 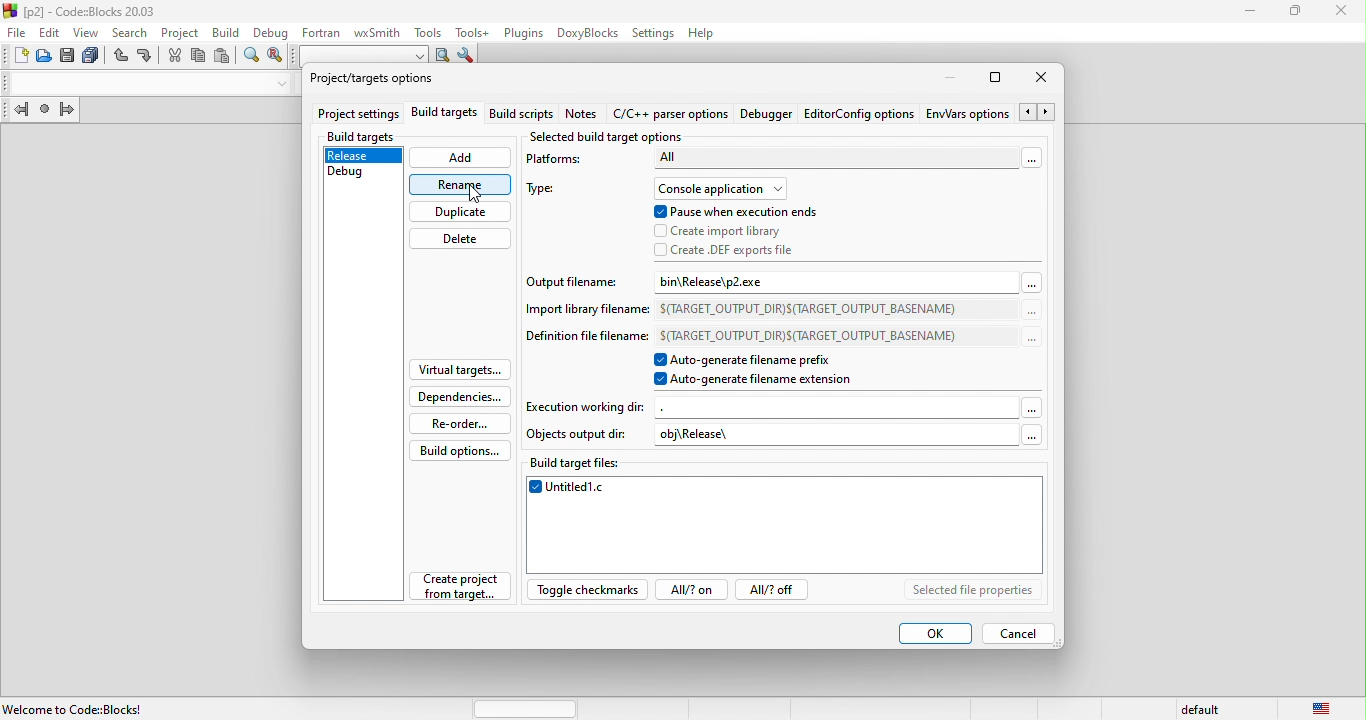 What do you see at coordinates (769, 115) in the screenshot?
I see `debugger` at bounding box center [769, 115].